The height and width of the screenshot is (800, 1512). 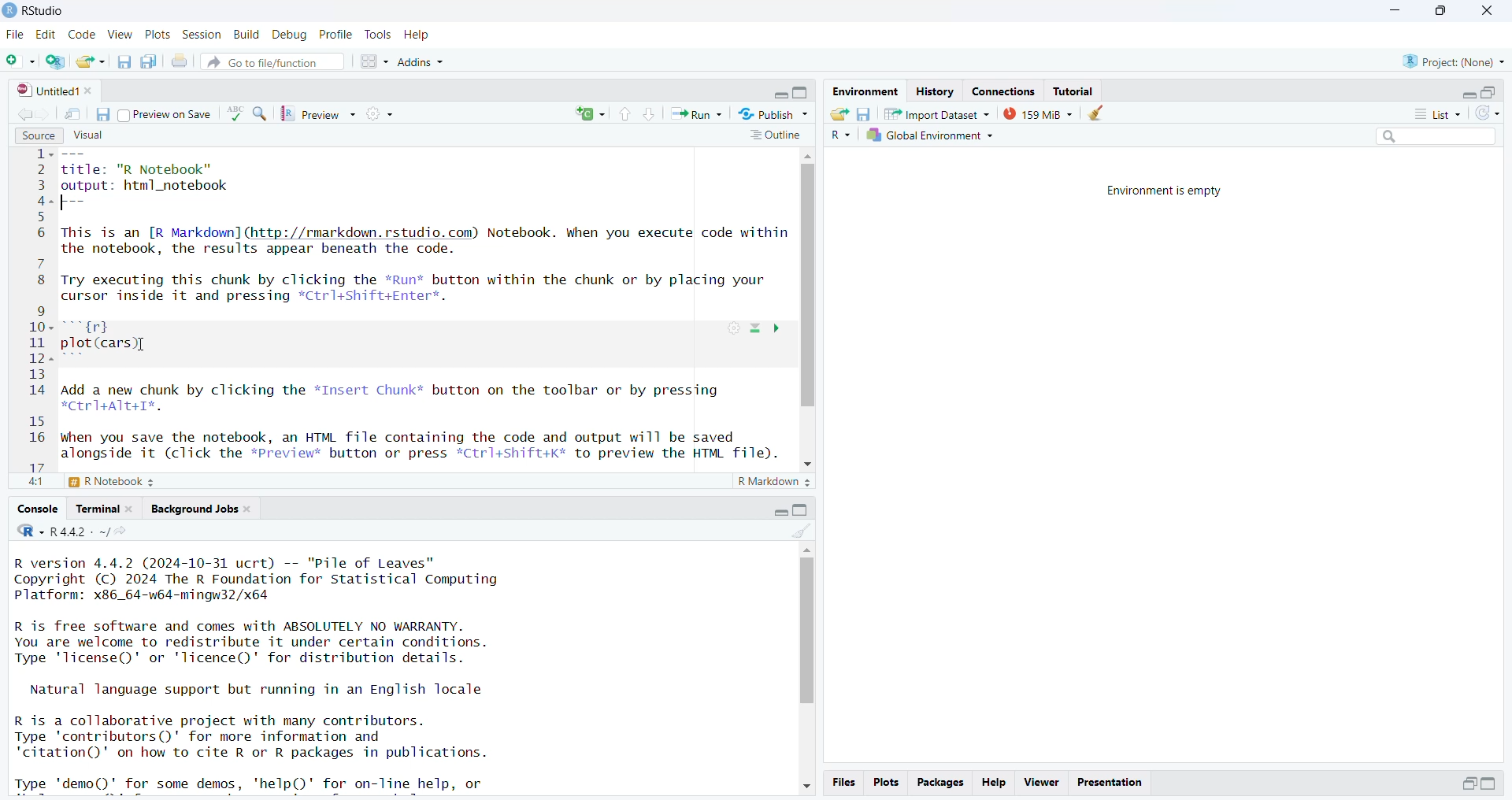 What do you see at coordinates (120, 35) in the screenshot?
I see `view` at bounding box center [120, 35].